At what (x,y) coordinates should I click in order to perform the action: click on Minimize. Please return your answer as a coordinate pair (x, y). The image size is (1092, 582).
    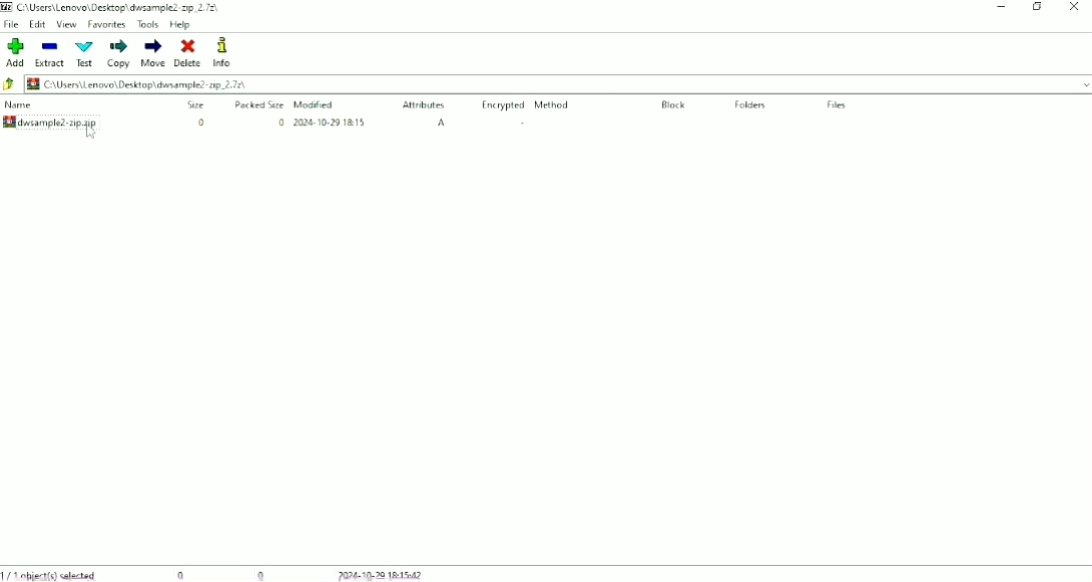
    Looking at the image, I should click on (1003, 6).